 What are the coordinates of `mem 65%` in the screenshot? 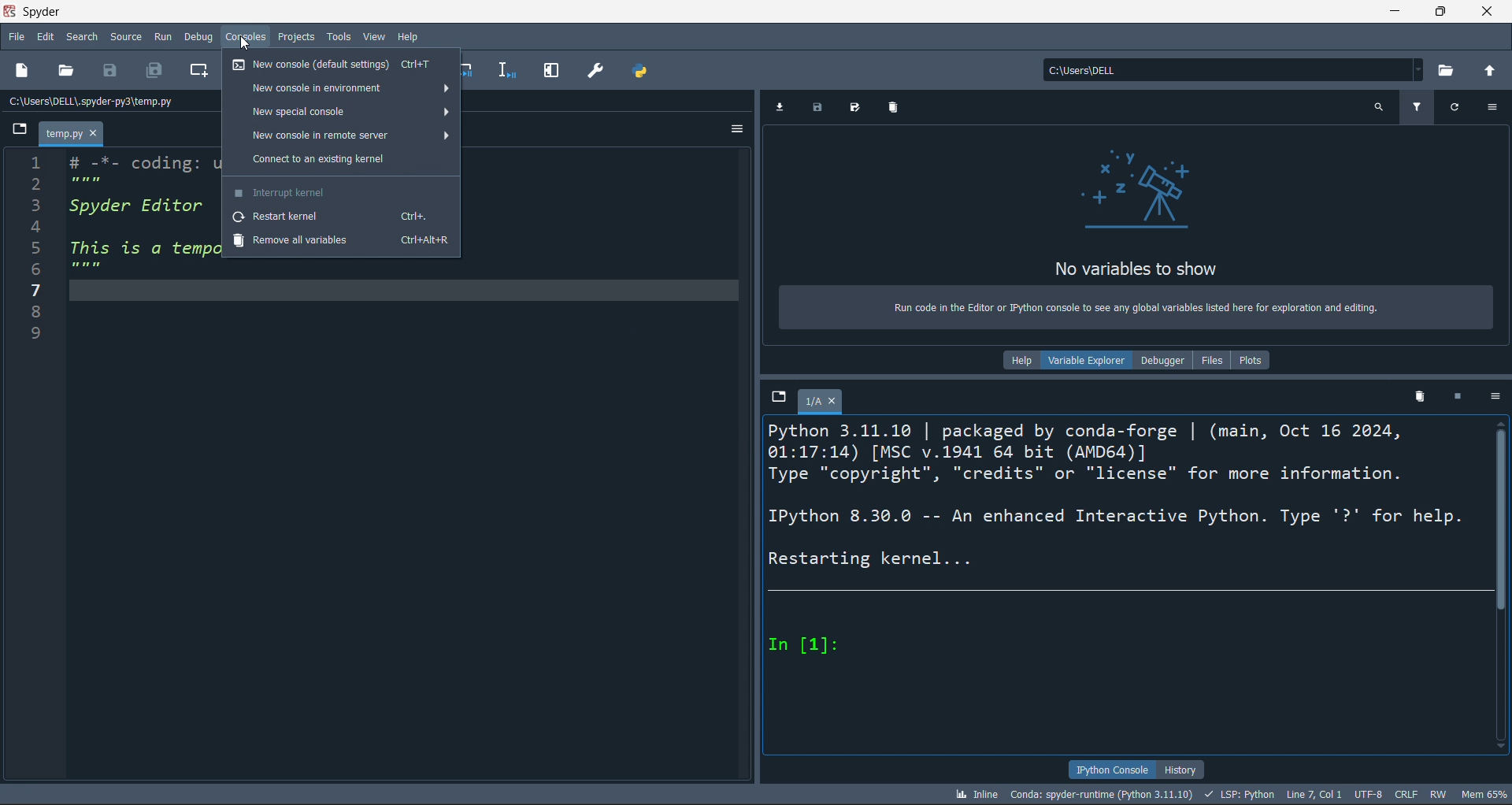 It's located at (1484, 792).